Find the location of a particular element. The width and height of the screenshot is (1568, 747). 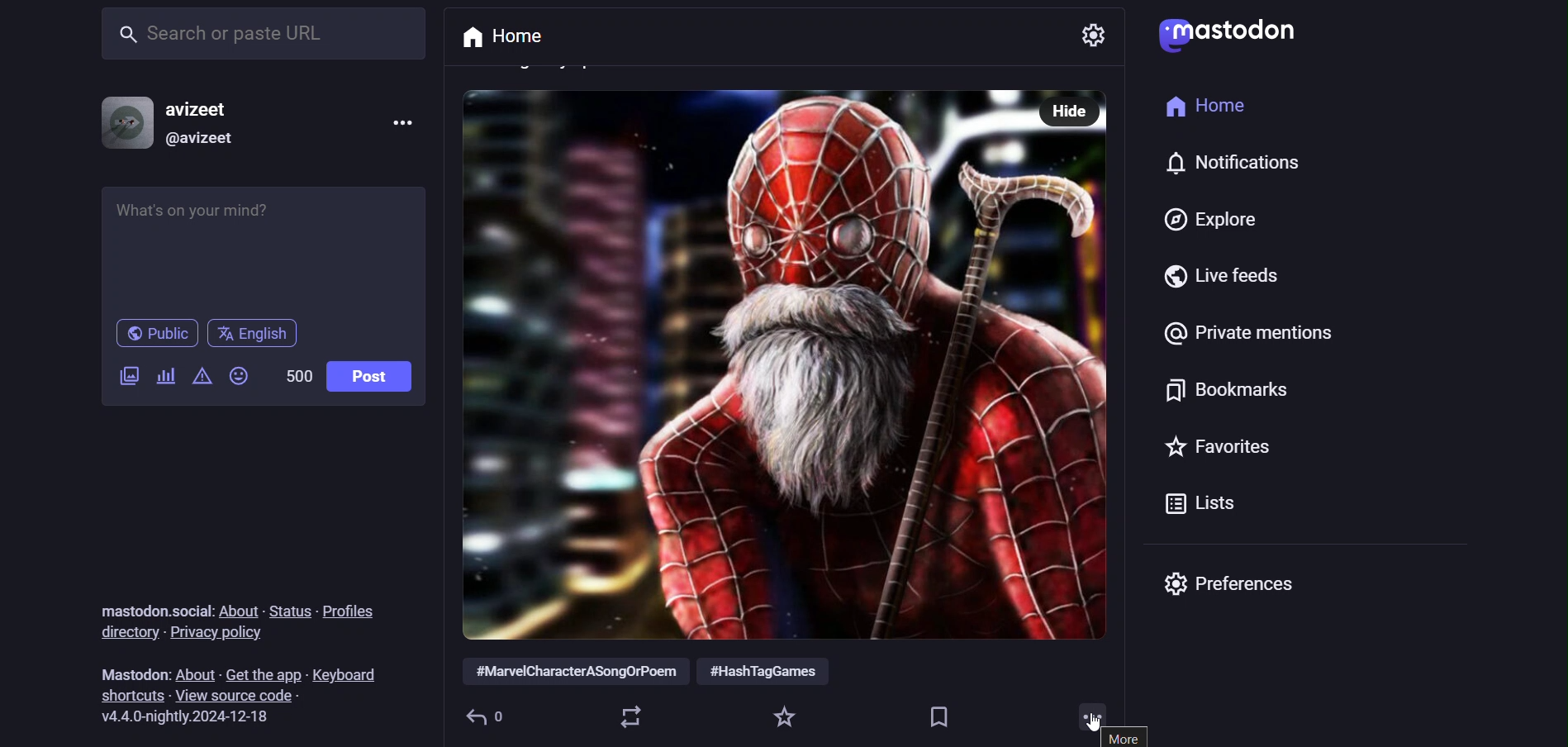

preferences is located at coordinates (1236, 588).